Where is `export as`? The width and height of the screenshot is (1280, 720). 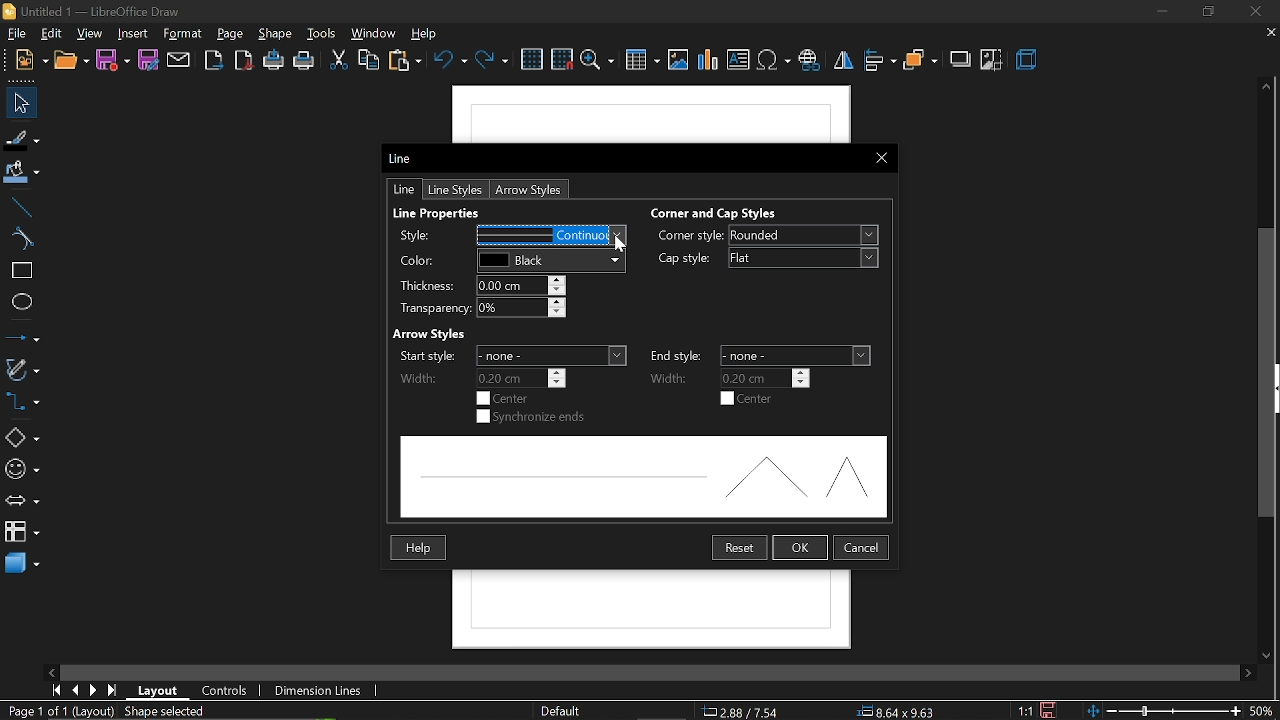
export as is located at coordinates (242, 62).